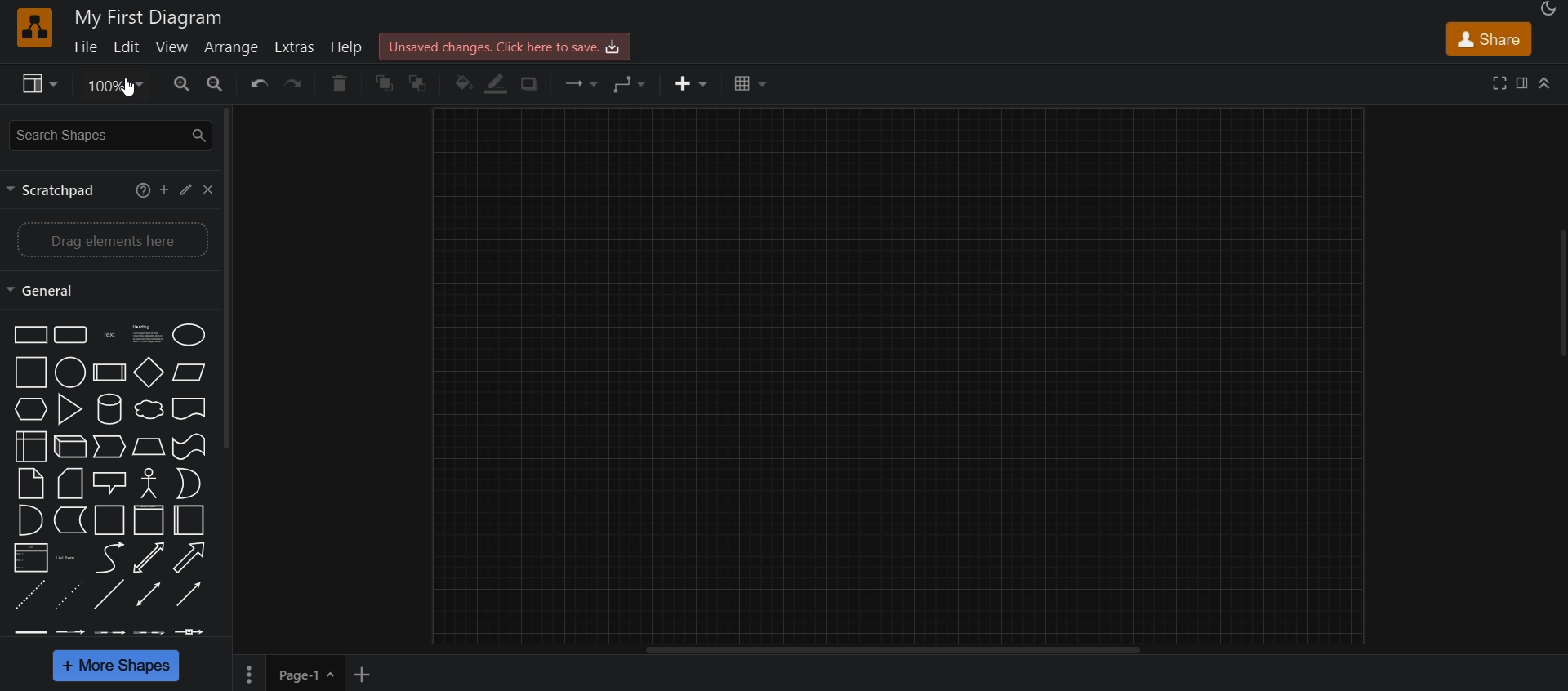 The width and height of the screenshot is (1568, 691). Describe the element at coordinates (229, 276) in the screenshot. I see `vertical scroll bar` at that location.